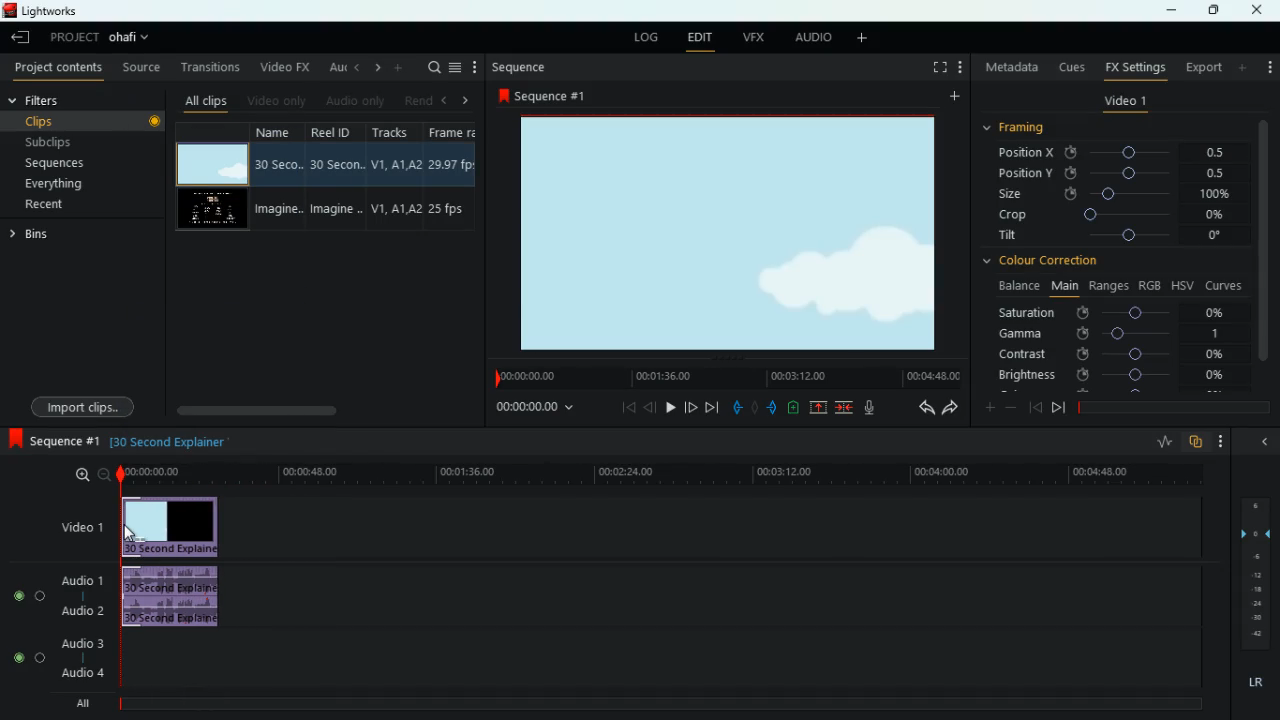  What do you see at coordinates (521, 67) in the screenshot?
I see `sequence` at bounding box center [521, 67].